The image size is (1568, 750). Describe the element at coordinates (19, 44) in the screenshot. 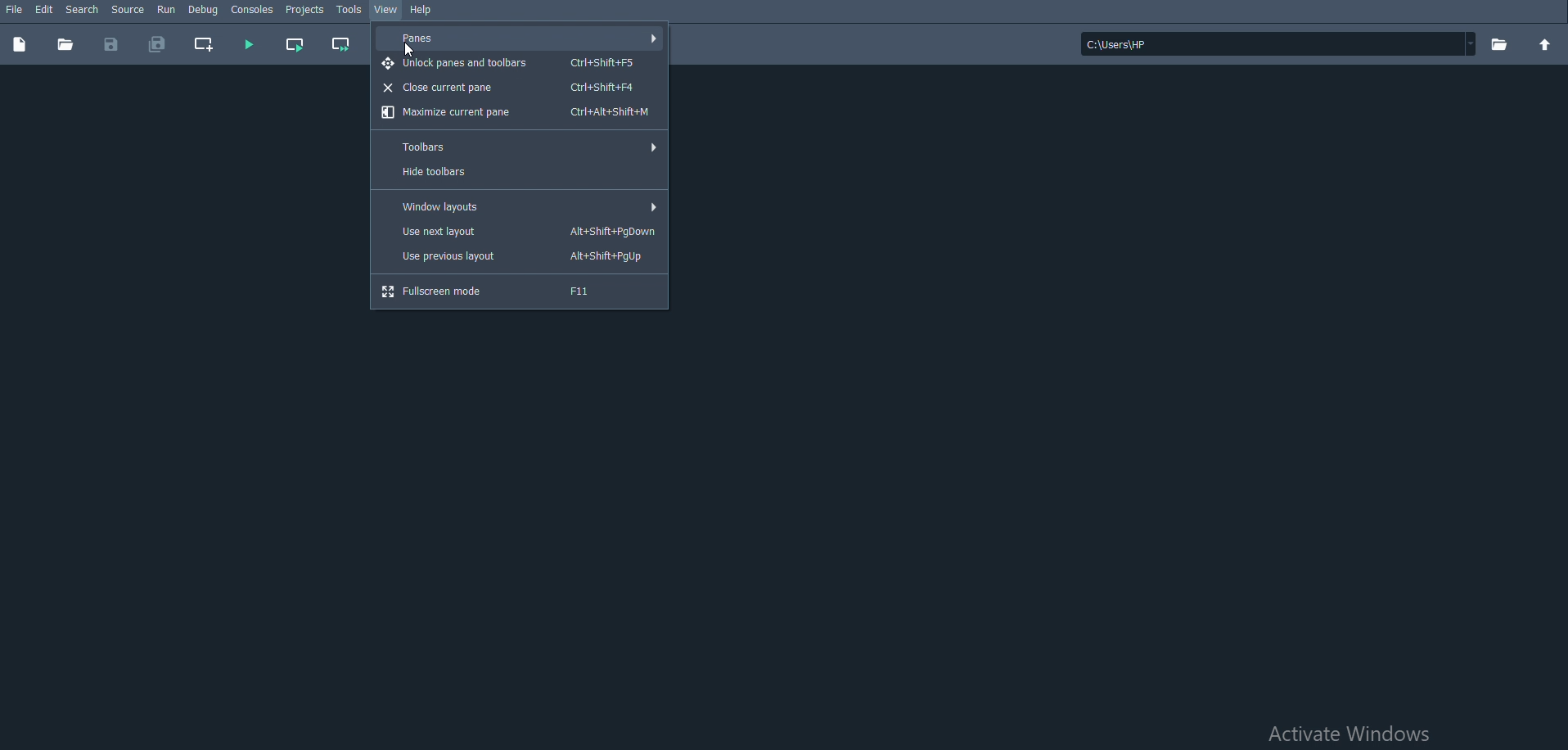

I see `New file` at that location.